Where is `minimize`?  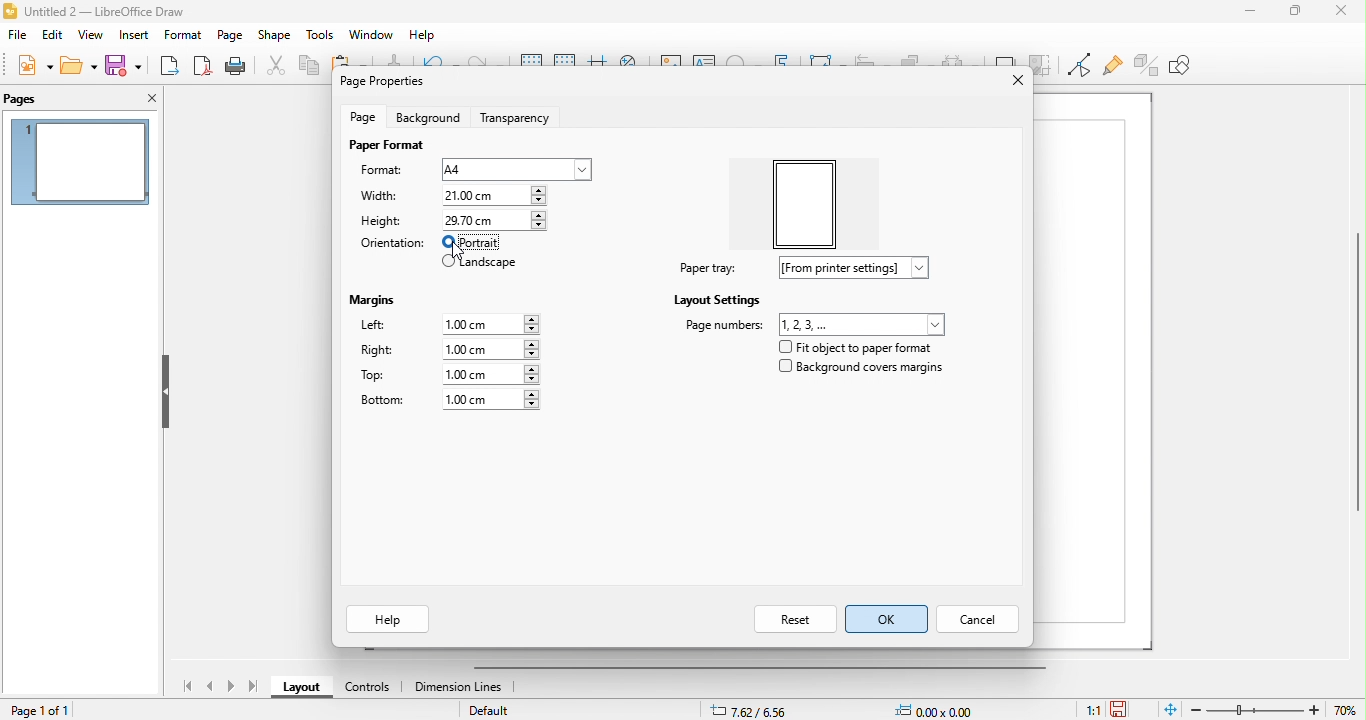 minimize is located at coordinates (1241, 19).